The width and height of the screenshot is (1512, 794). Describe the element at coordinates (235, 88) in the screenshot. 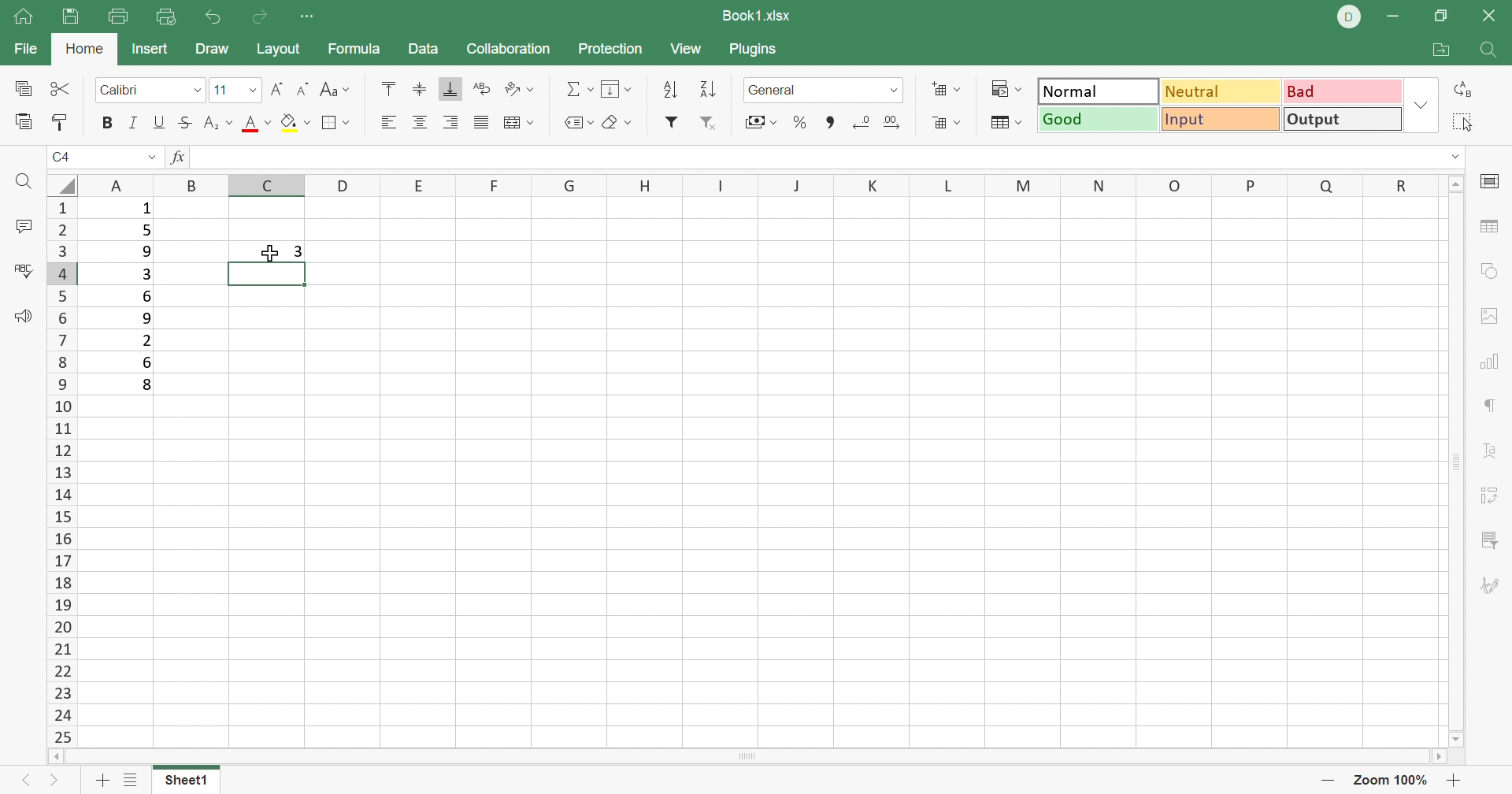

I see `Font size` at that location.